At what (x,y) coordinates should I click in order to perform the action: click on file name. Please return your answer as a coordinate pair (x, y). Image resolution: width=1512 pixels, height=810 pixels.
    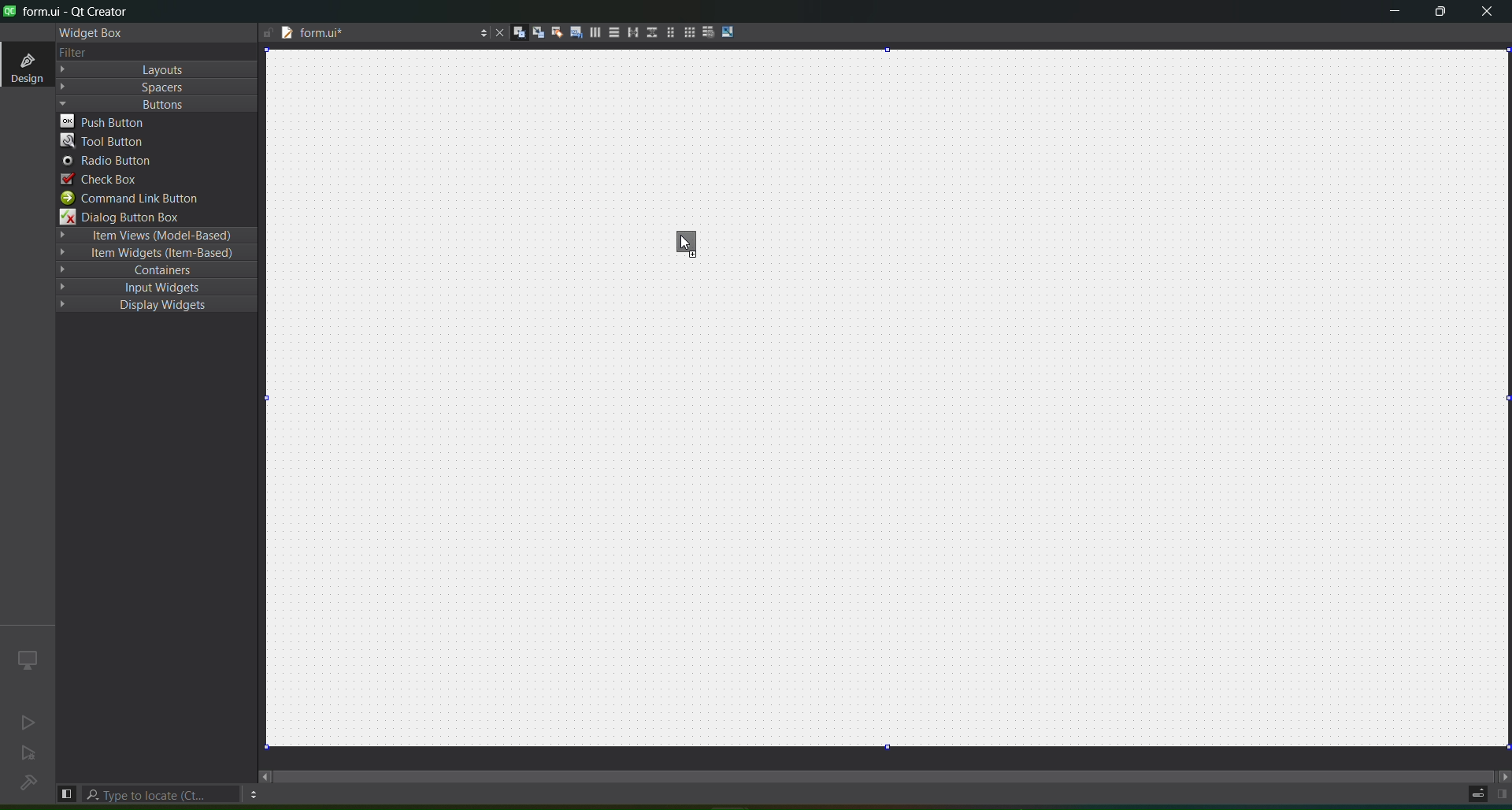
    Looking at the image, I should click on (374, 35).